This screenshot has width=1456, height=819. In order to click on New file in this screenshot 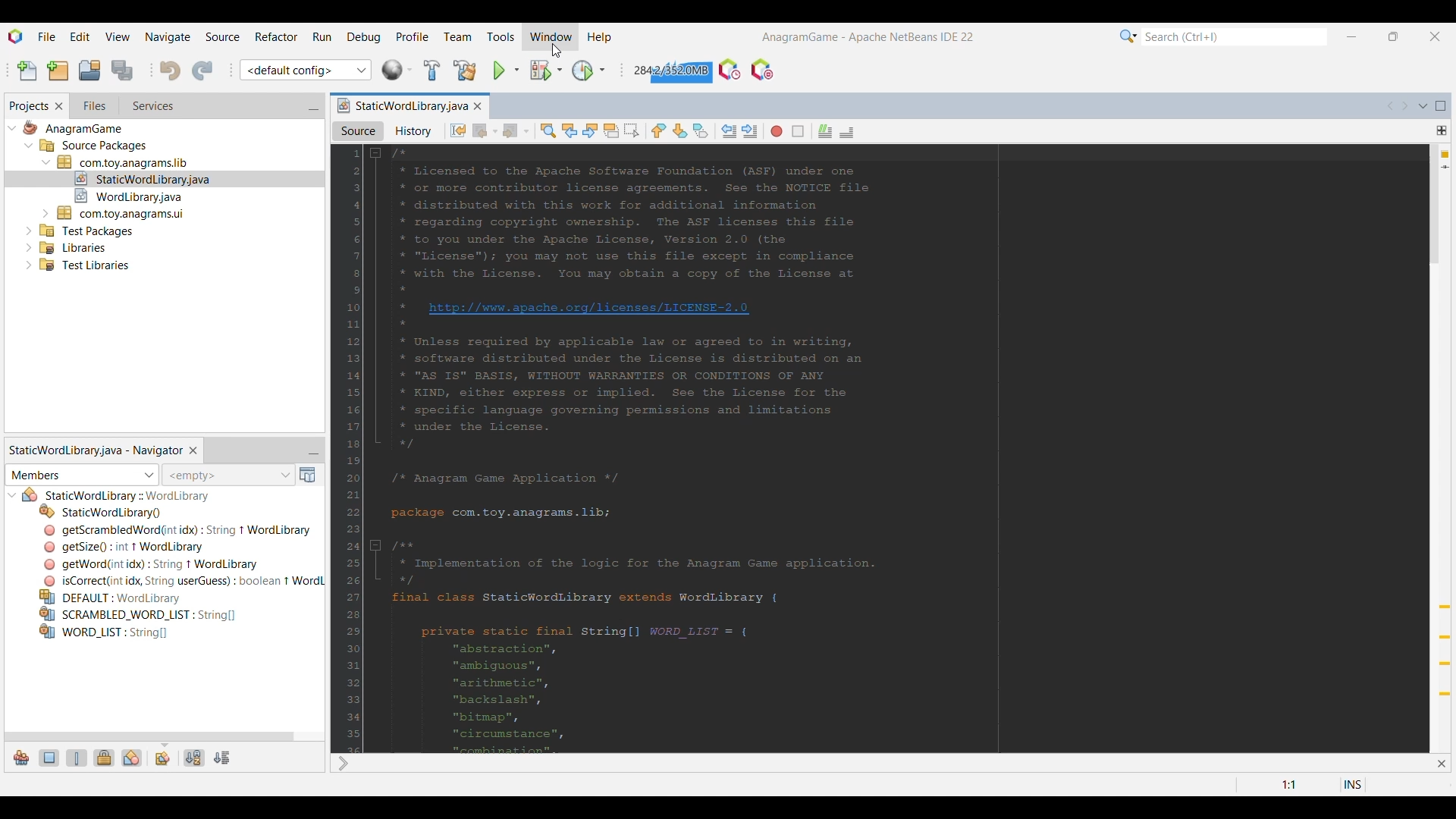, I will do `click(27, 71)`.